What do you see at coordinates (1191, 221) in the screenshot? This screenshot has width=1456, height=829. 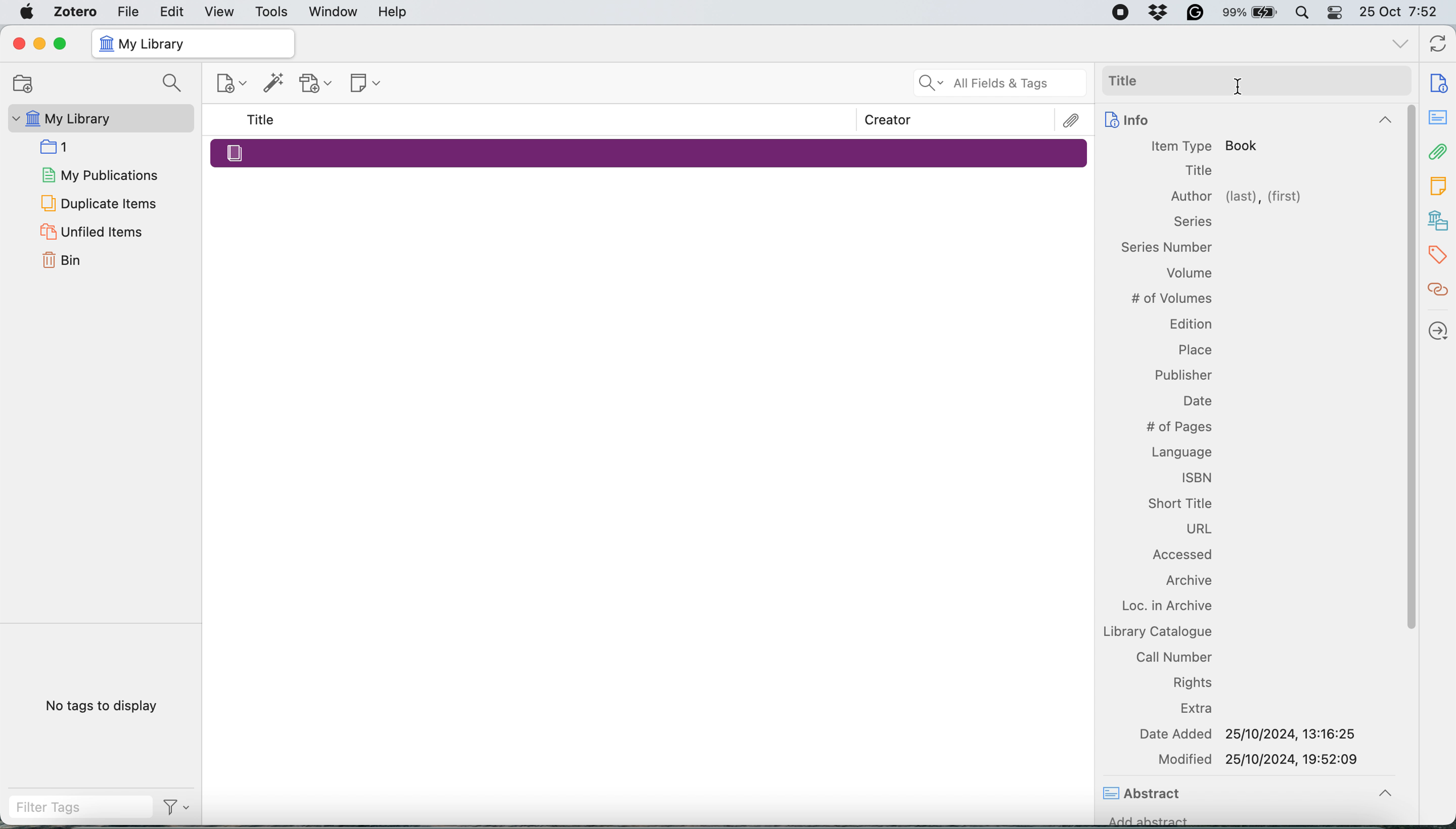 I see `` at bounding box center [1191, 221].